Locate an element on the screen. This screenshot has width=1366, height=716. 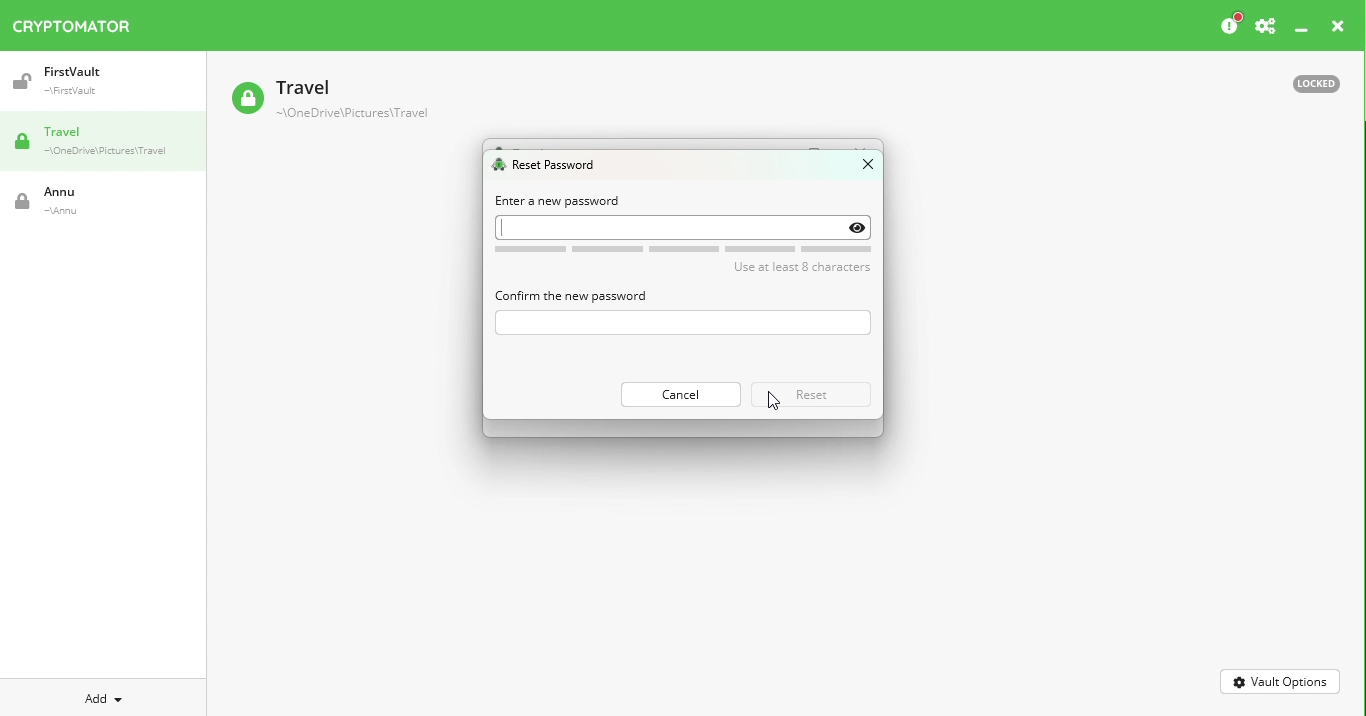
Confirm the new password is located at coordinates (570, 295).